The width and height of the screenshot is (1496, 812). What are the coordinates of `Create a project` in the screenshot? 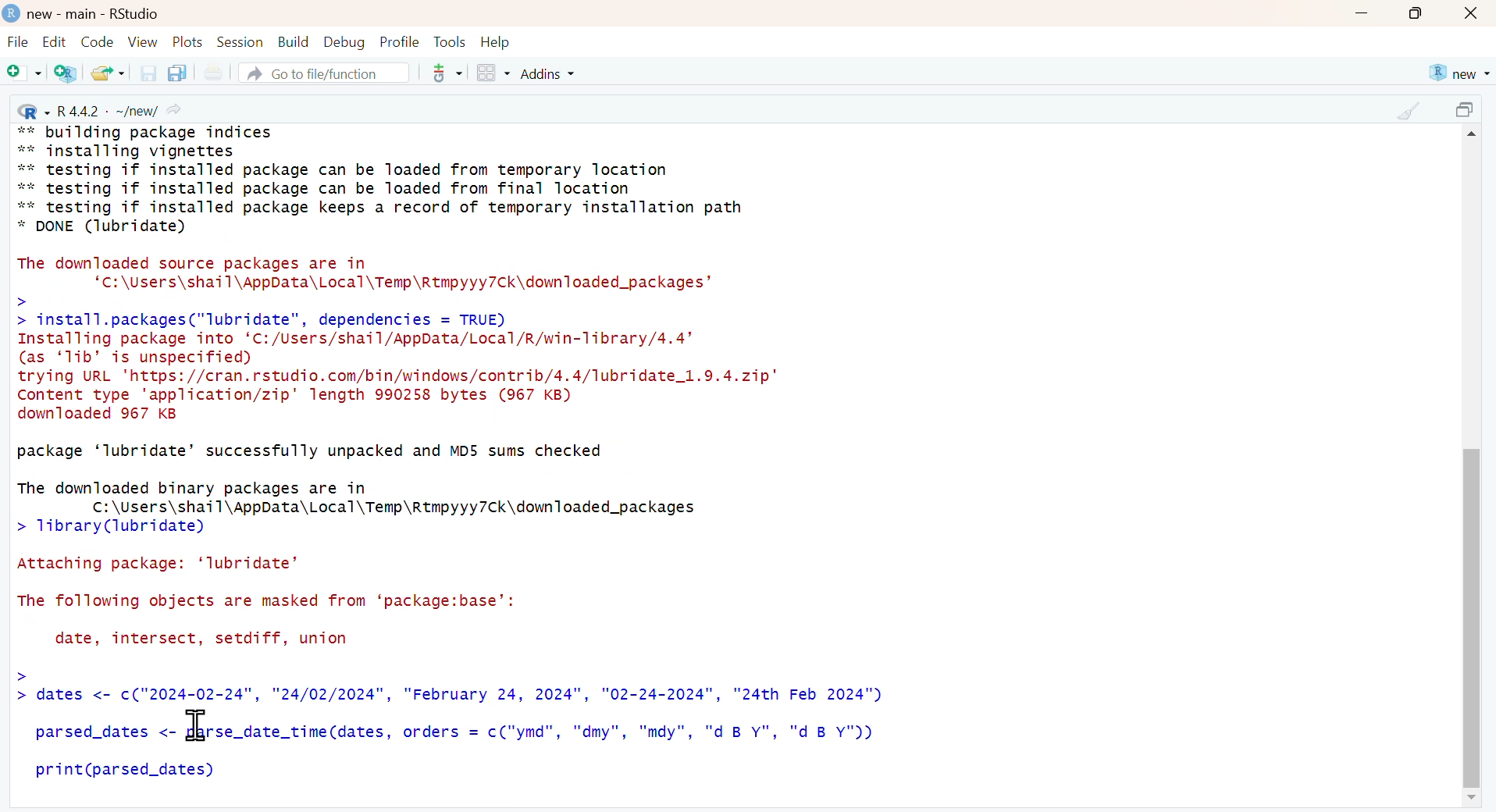 It's located at (67, 73).